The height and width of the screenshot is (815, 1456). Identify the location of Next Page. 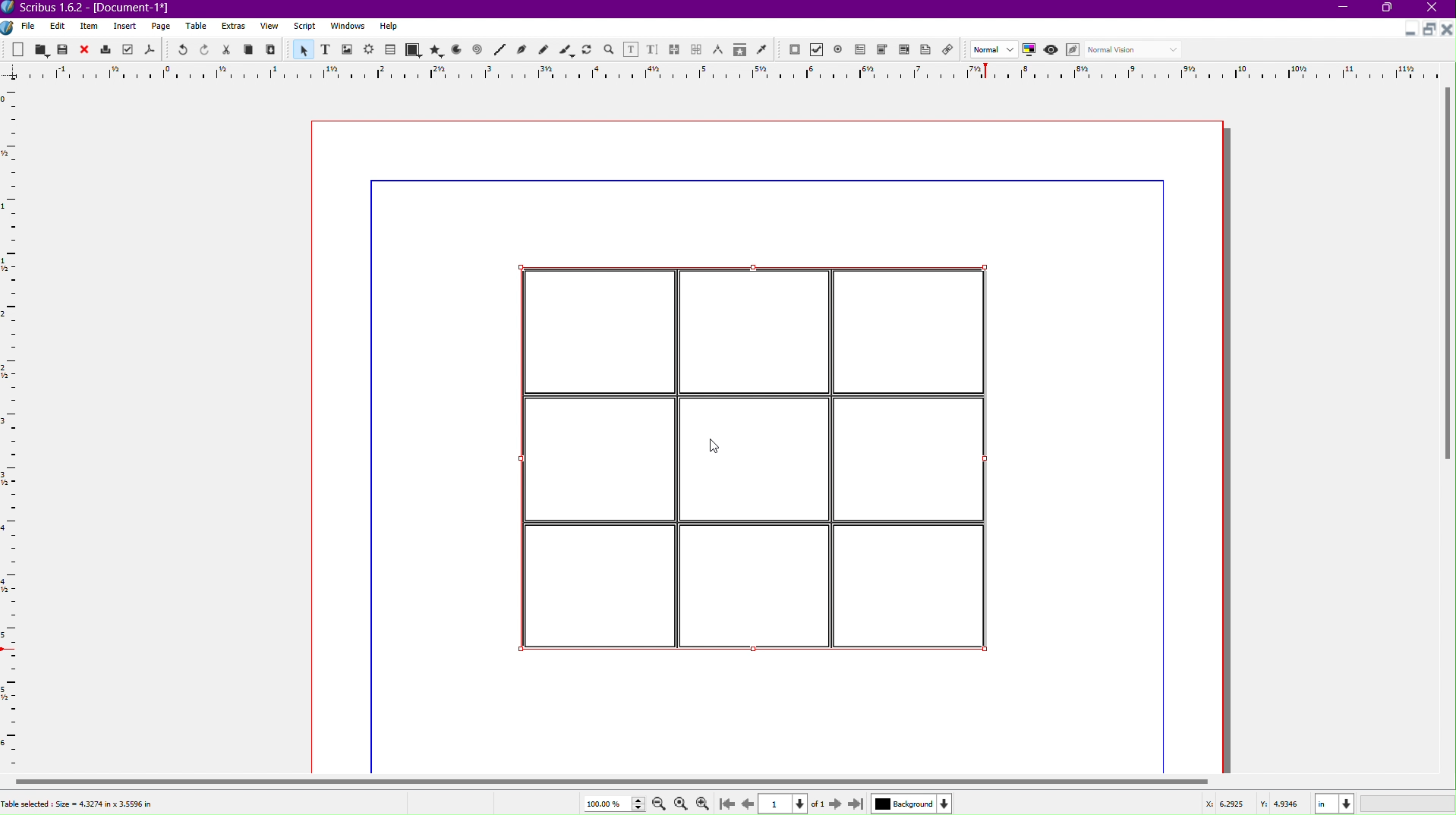
(833, 803).